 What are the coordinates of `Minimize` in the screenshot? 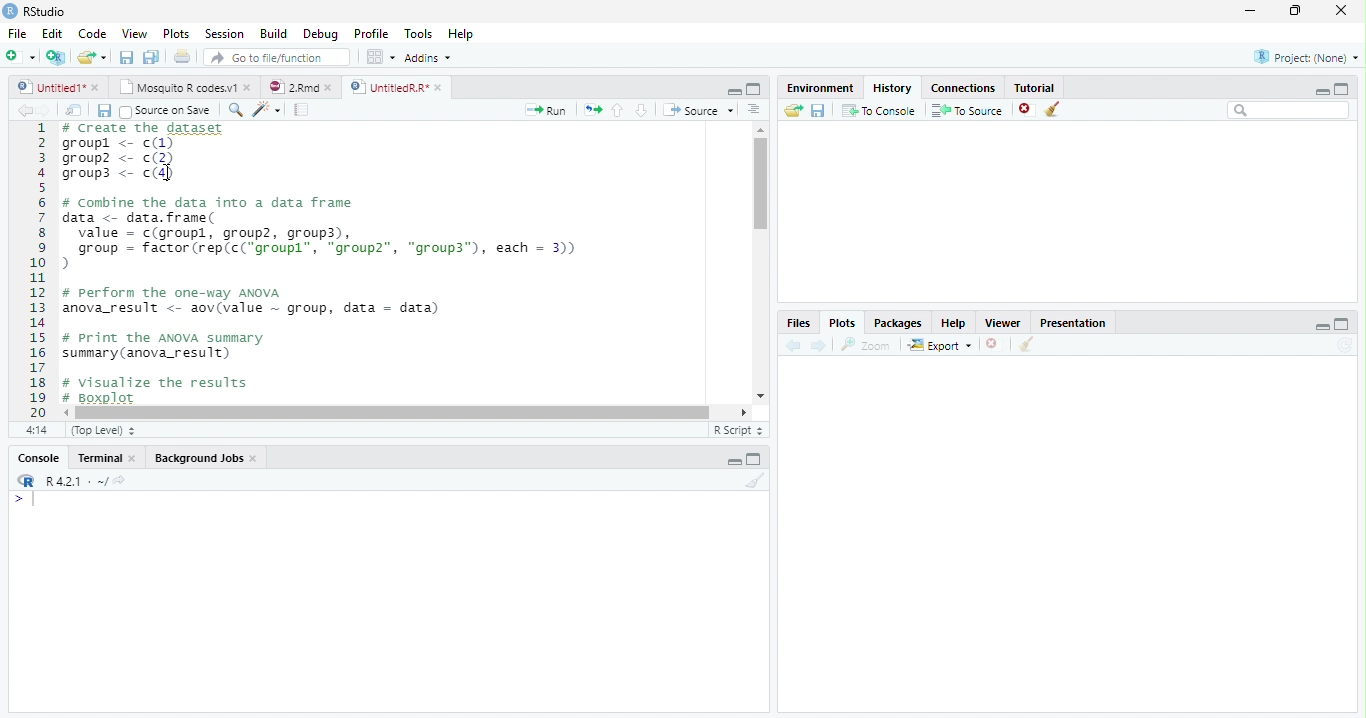 It's located at (734, 463).